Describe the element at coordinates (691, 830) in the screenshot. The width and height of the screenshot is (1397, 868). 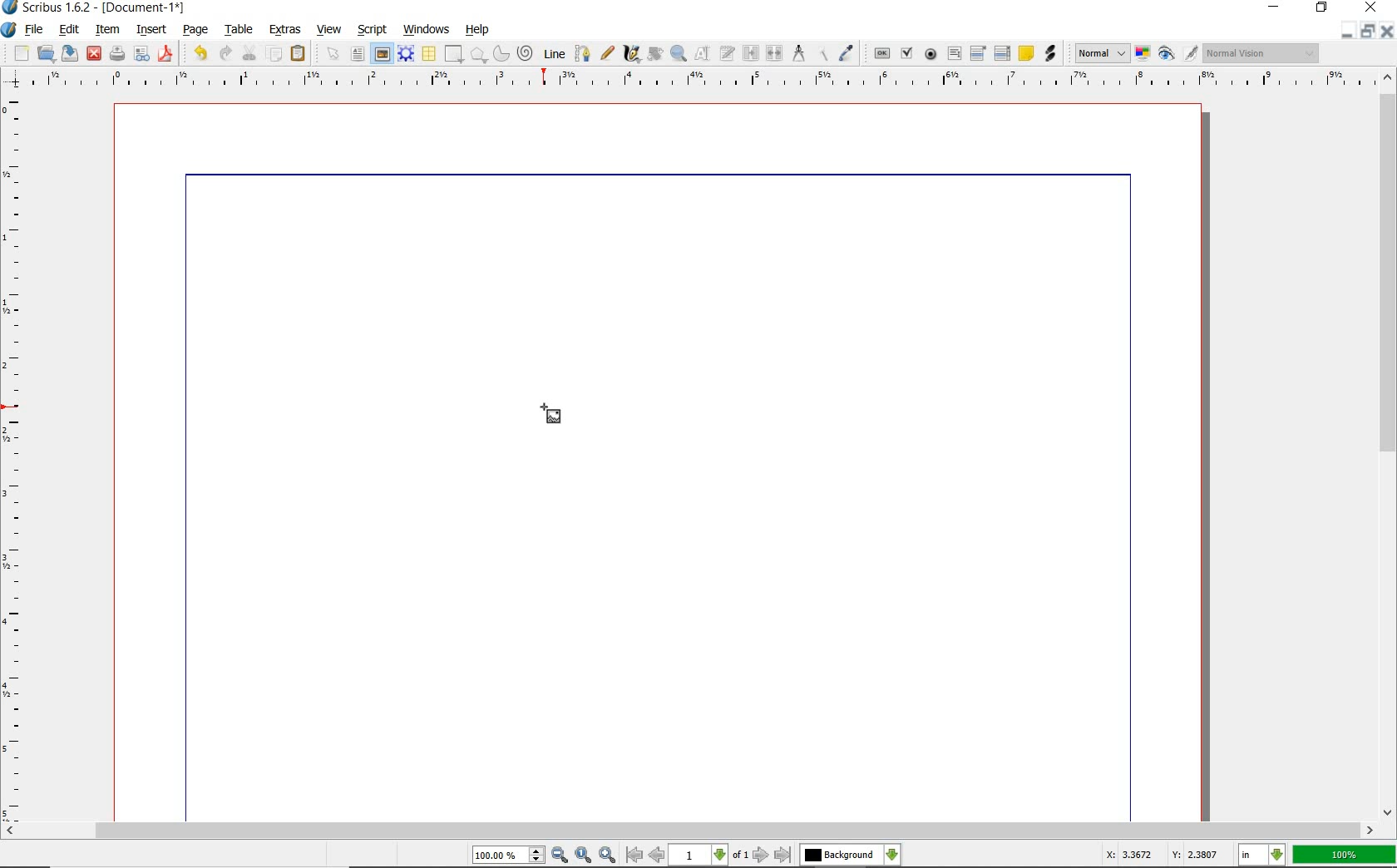
I see `scrollbar` at that location.